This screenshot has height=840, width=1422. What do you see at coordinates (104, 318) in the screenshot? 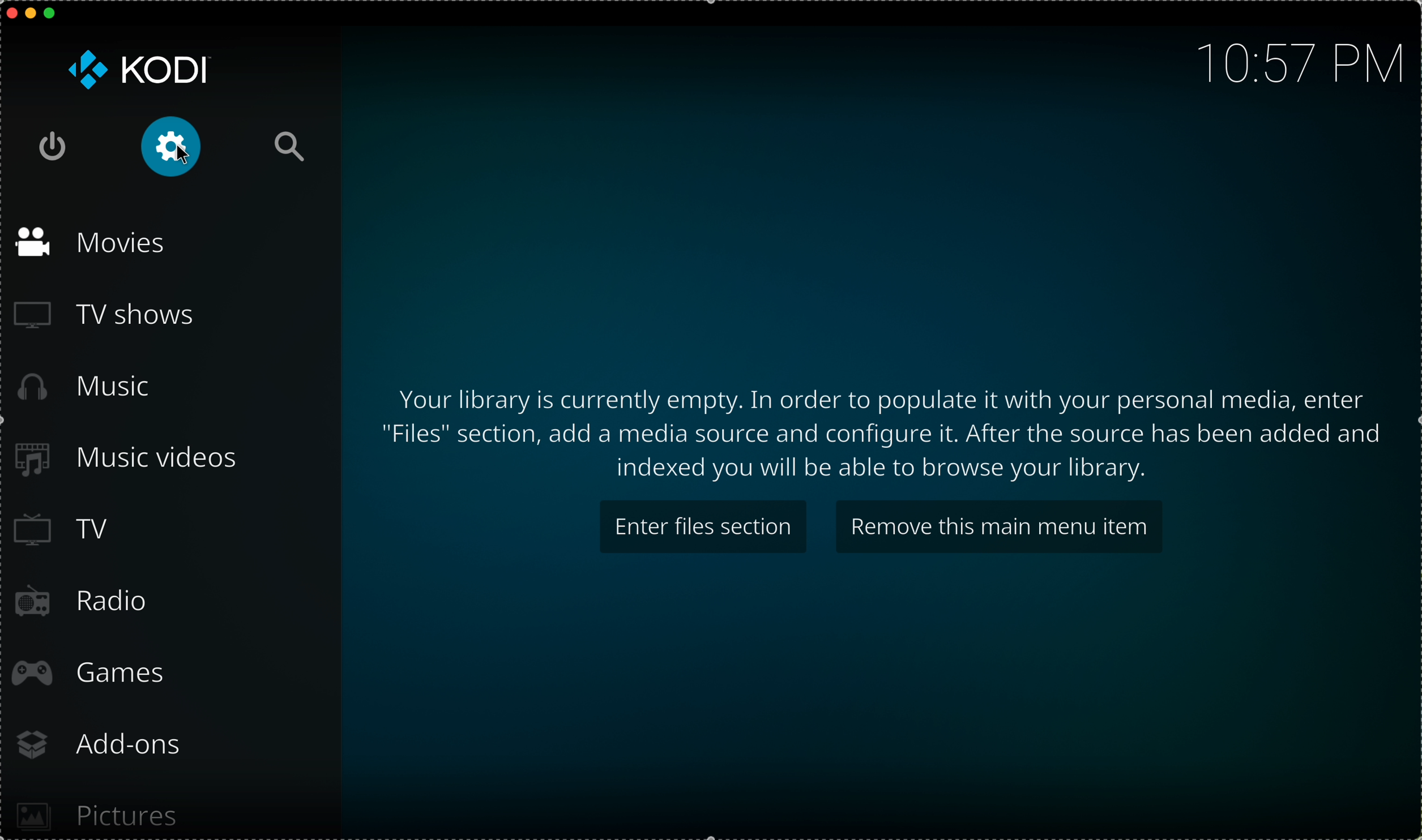
I see `TV shows` at bounding box center [104, 318].